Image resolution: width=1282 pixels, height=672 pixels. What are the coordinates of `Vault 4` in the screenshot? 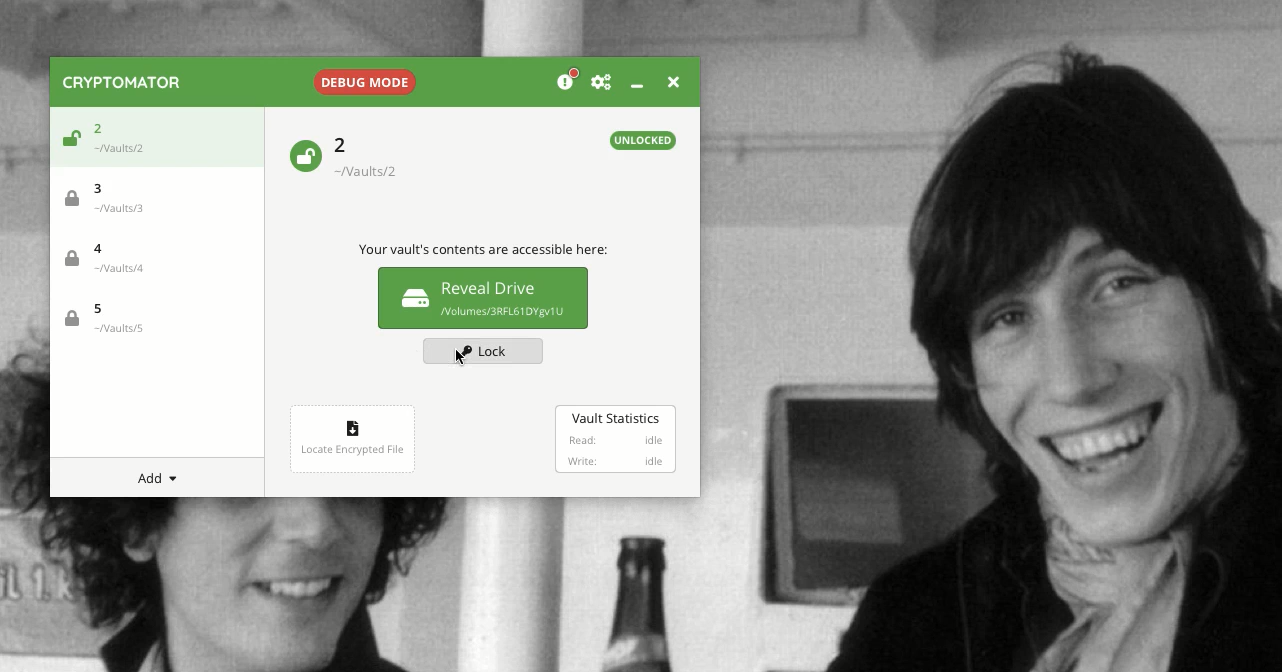 It's located at (112, 261).